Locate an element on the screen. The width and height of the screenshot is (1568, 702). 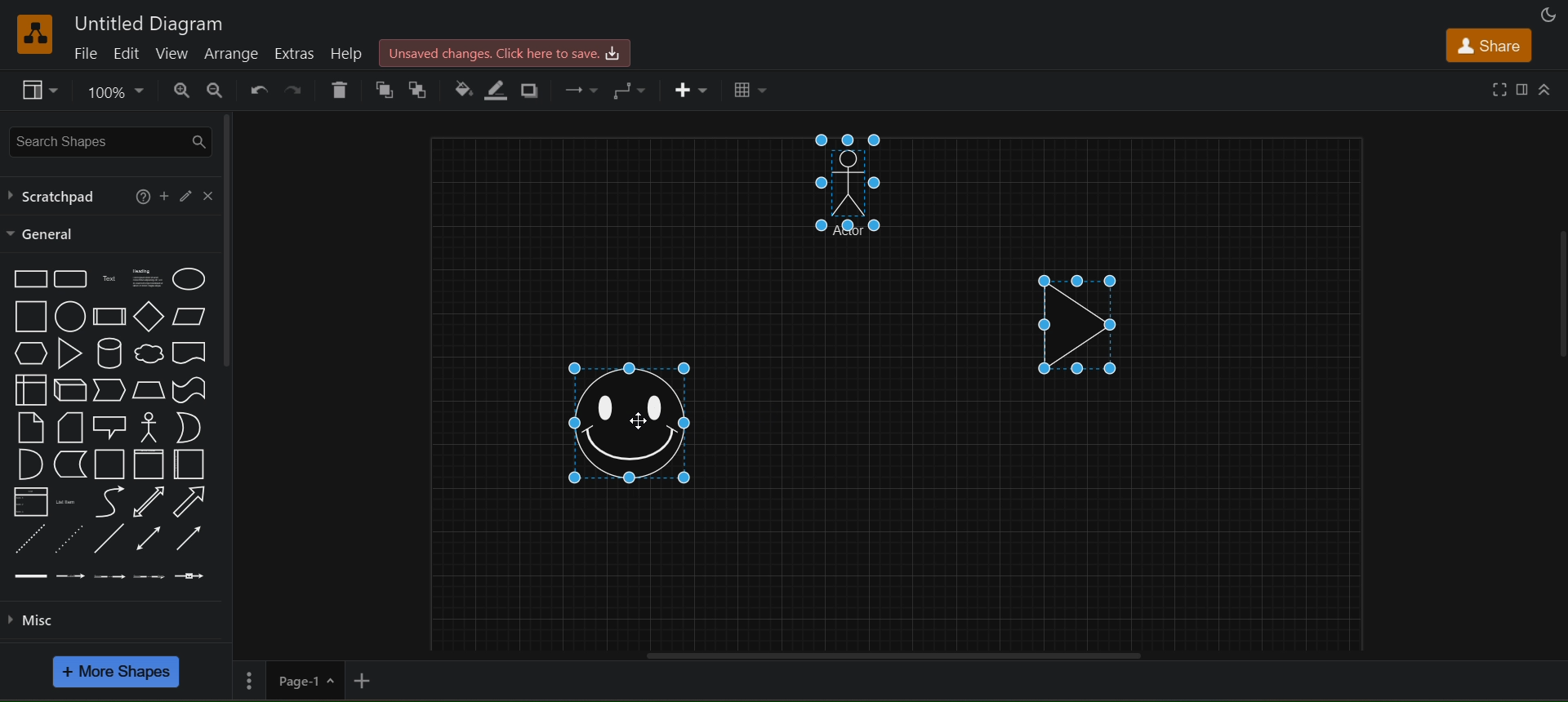
add new page is located at coordinates (367, 681).